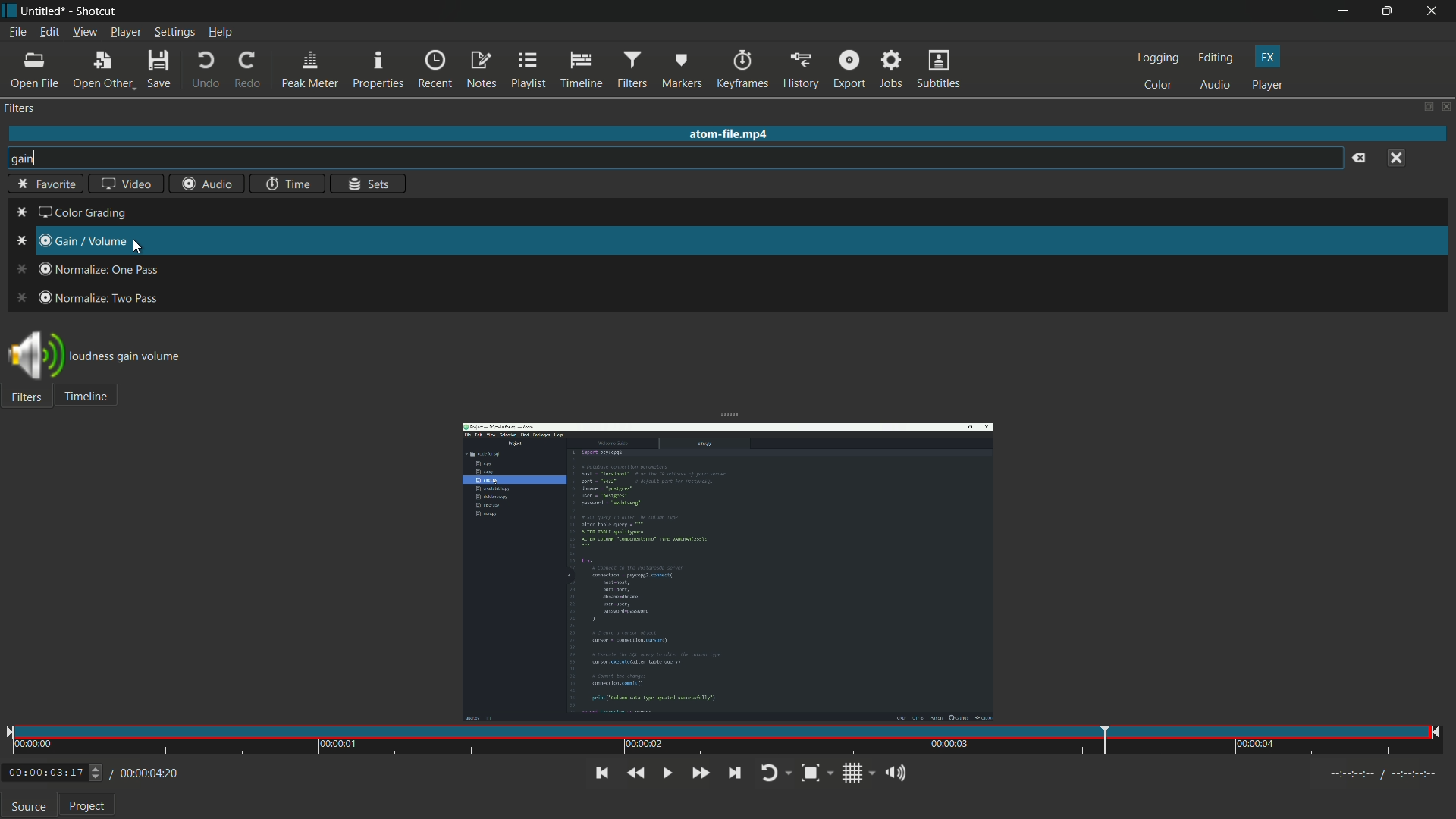 The height and width of the screenshot is (819, 1456). I want to click on player menu, so click(126, 32).